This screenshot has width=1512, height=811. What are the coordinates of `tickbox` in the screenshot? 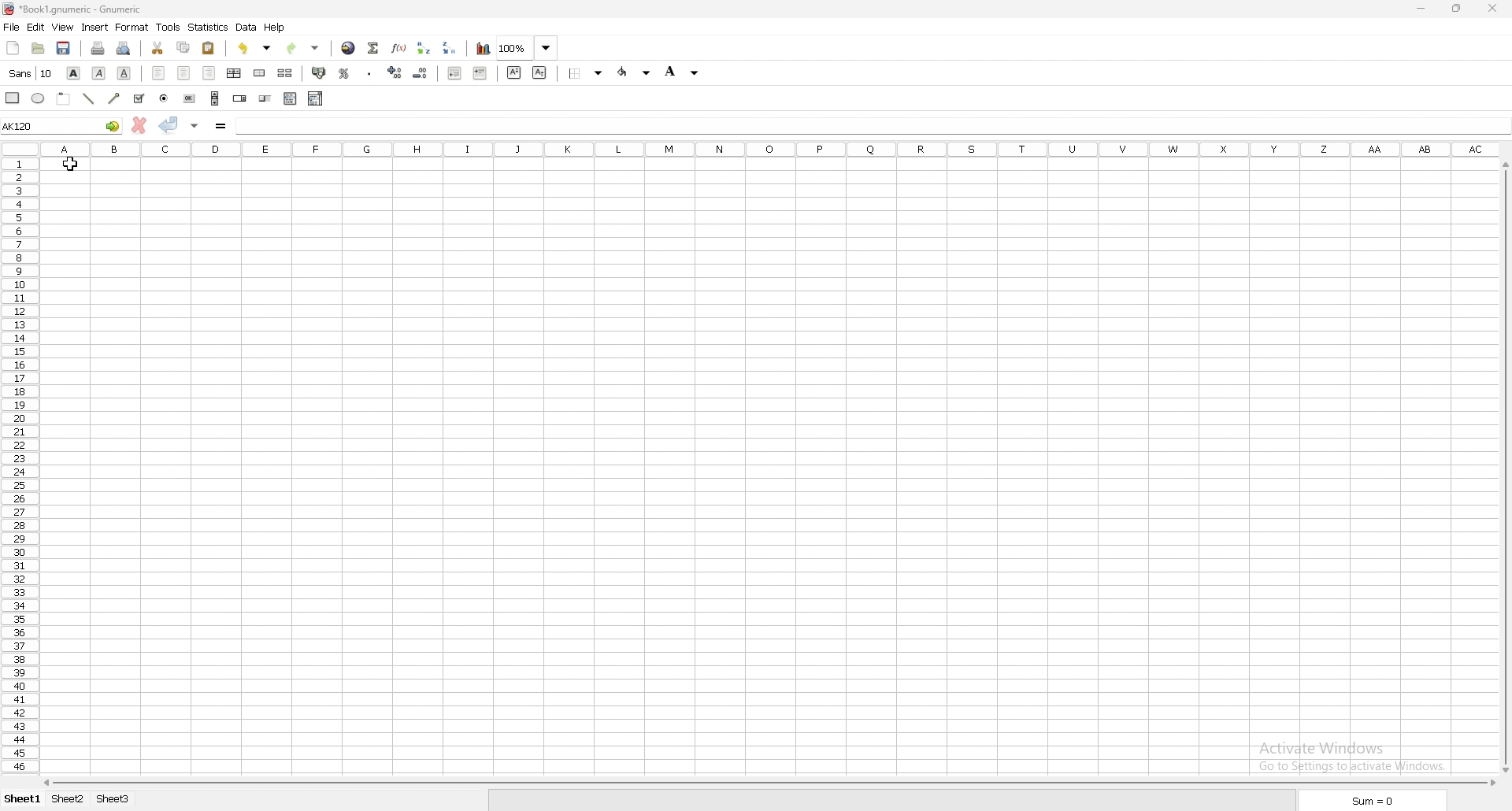 It's located at (139, 98).